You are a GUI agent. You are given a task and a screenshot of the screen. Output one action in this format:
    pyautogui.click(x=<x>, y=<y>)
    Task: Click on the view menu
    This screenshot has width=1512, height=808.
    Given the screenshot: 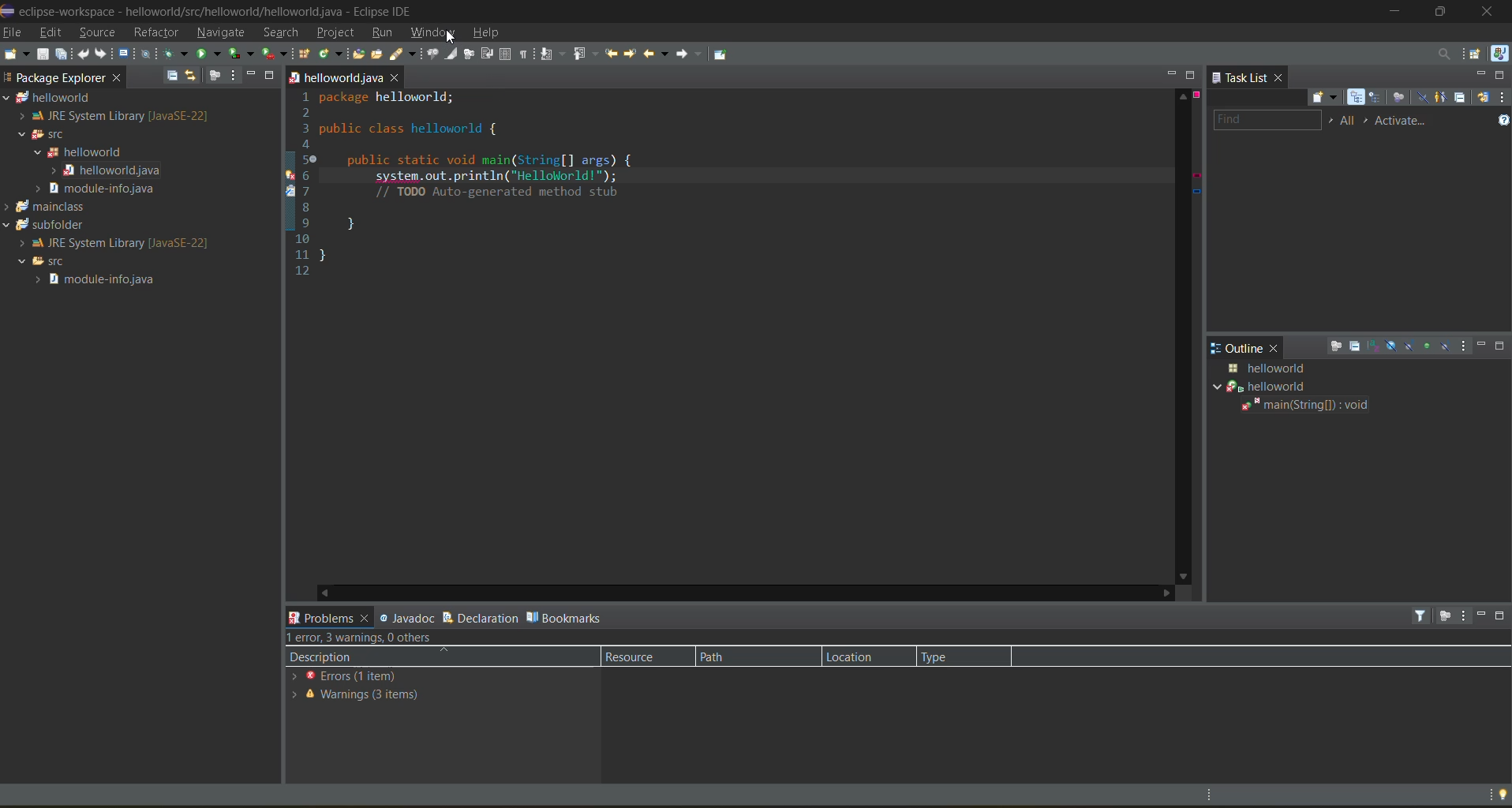 What is the action you would take?
    pyautogui.click(x=1503, y=99)
    